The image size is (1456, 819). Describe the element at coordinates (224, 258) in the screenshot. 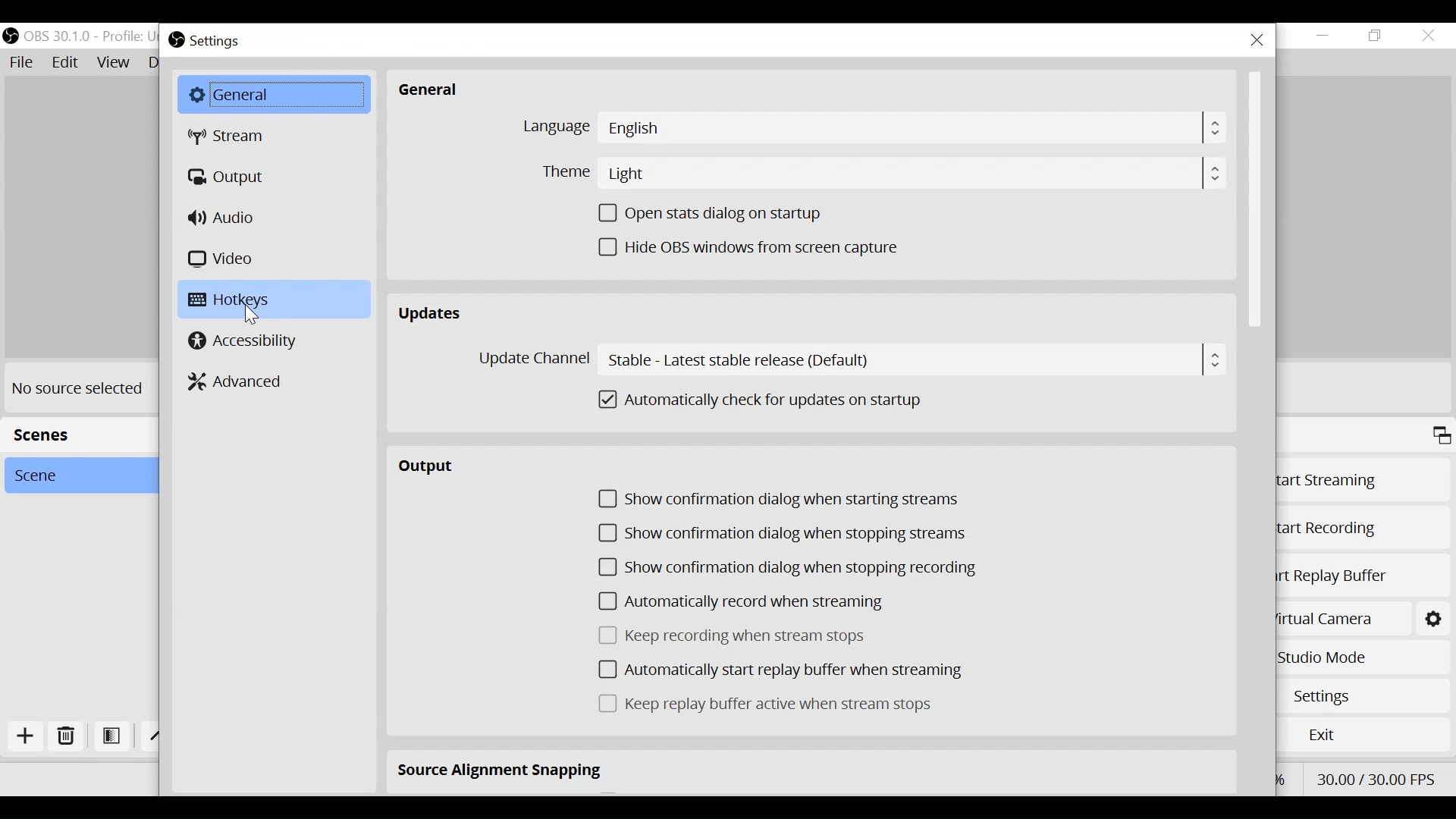

I see `Video` at that location.